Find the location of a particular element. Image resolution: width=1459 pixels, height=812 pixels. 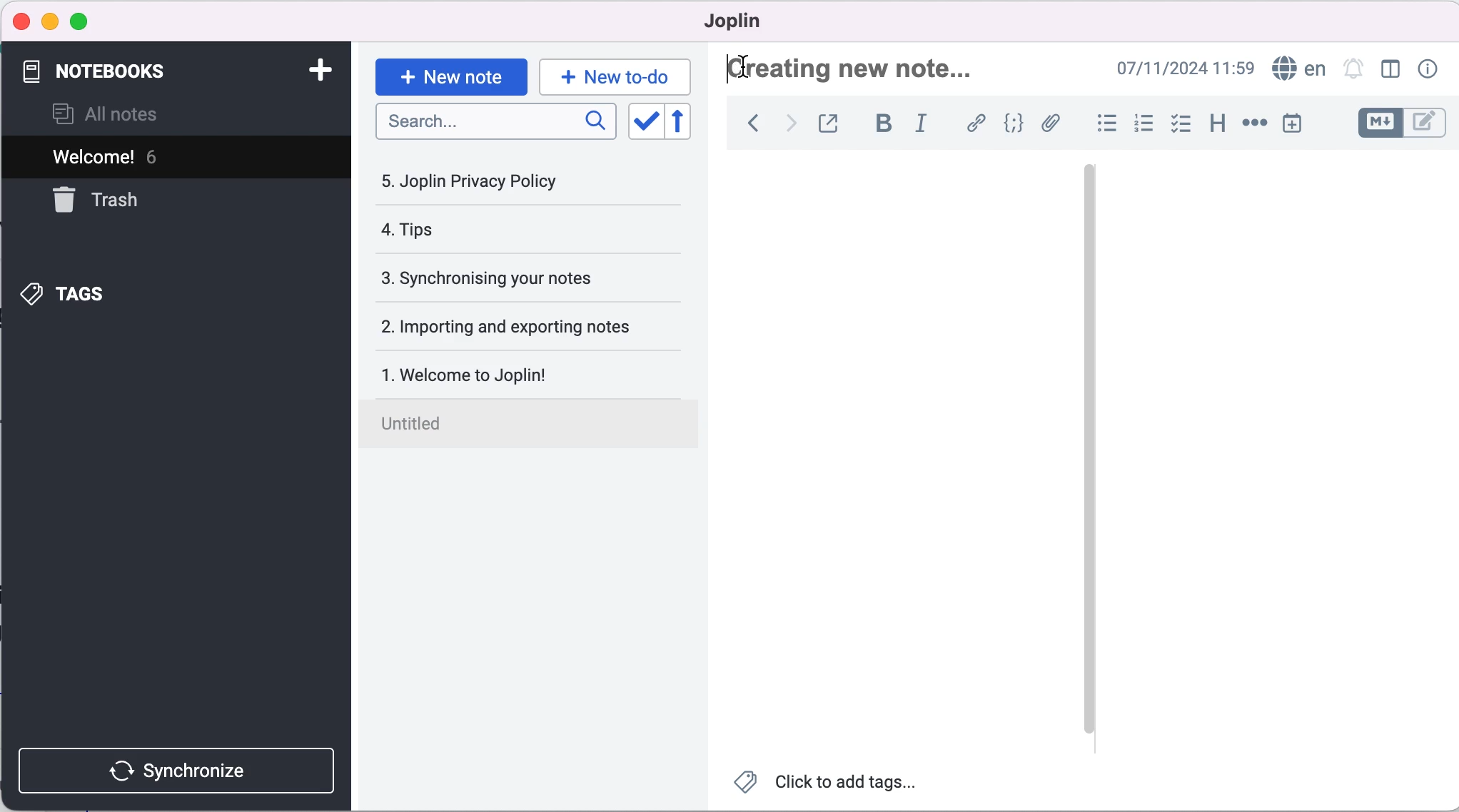

code is located at coordinates (1014, 123).